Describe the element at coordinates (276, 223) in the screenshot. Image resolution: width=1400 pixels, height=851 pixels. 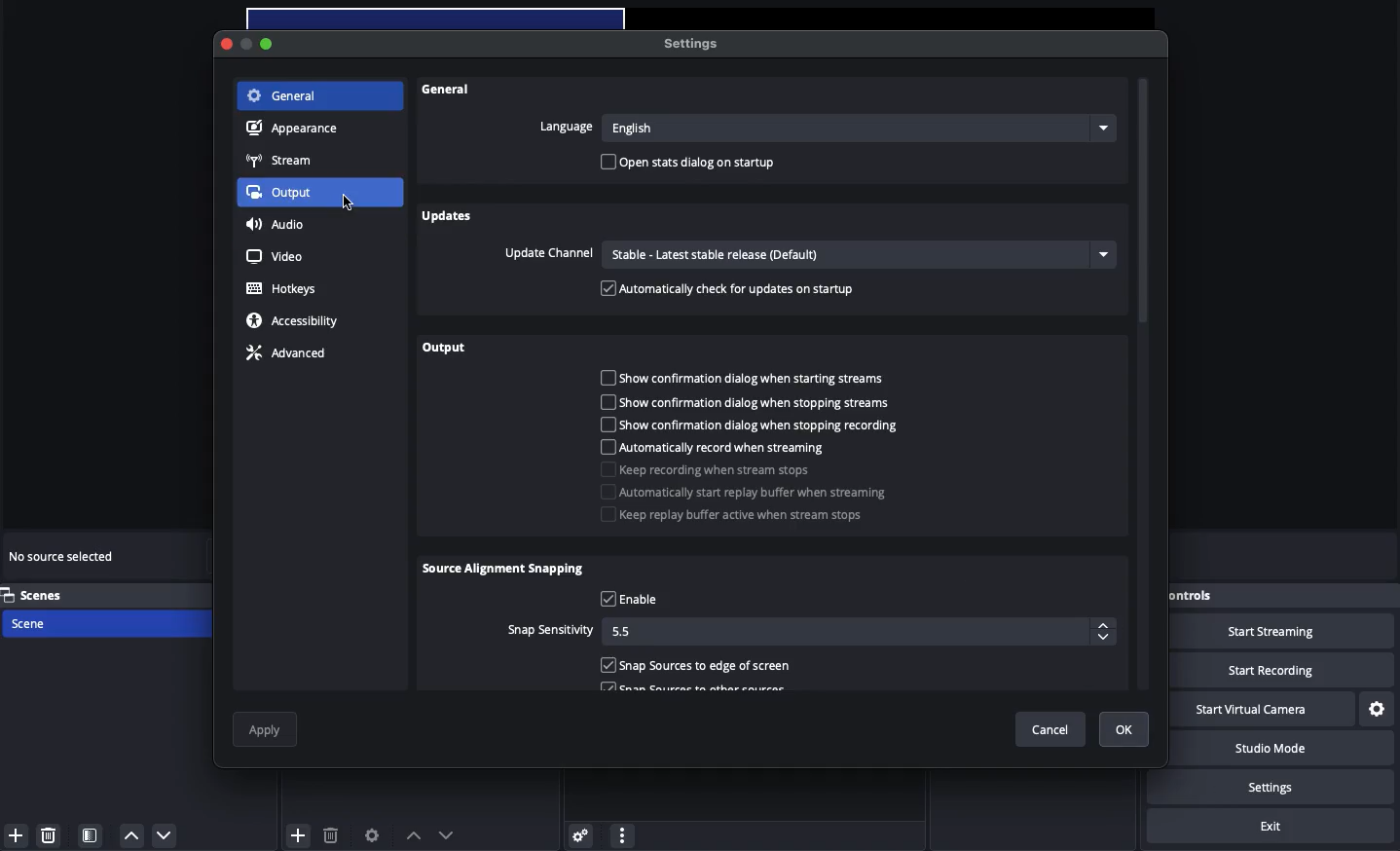
I see `Audio` at that location.